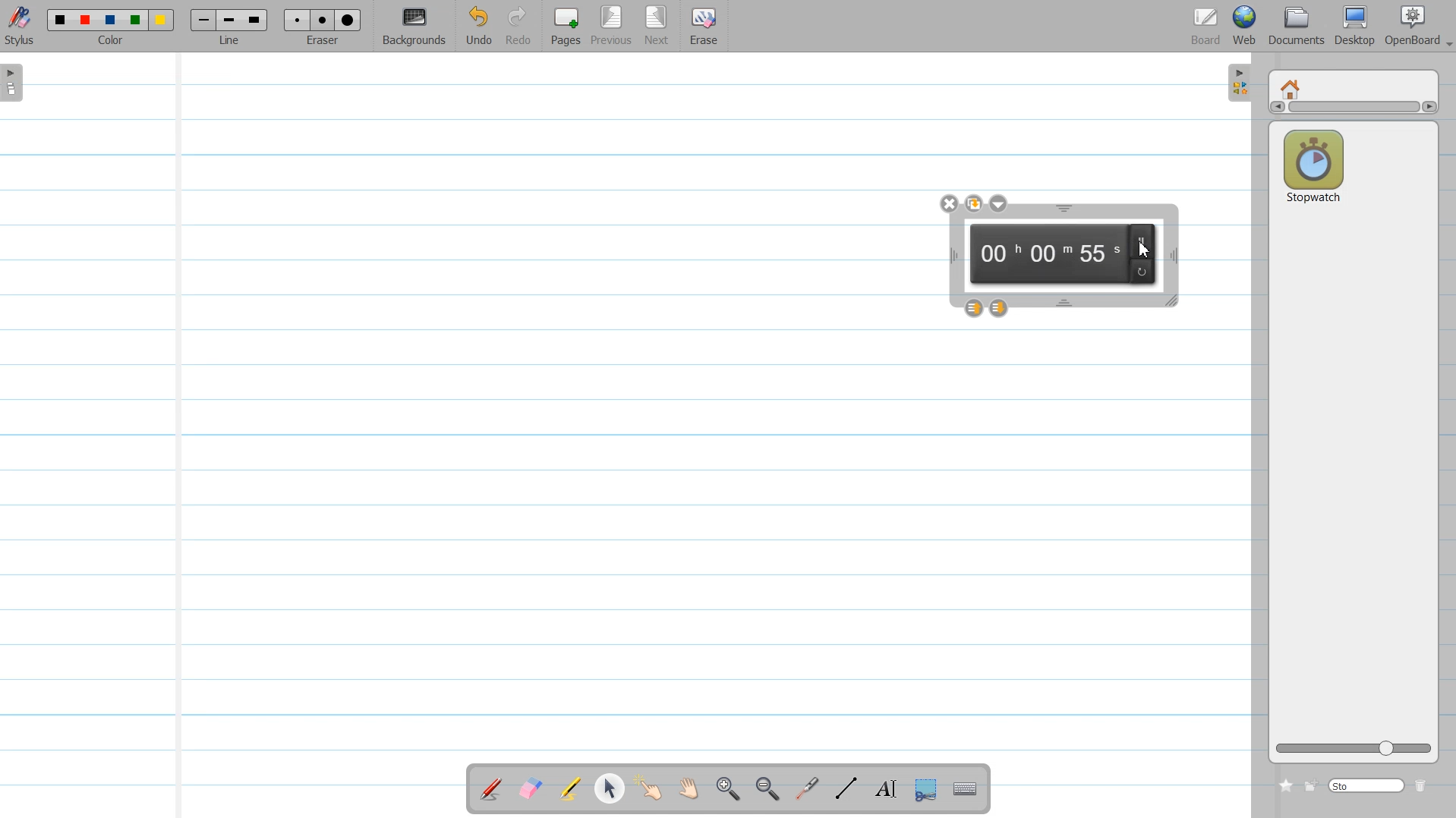  I want to click on Write Text, so click(884, 789).